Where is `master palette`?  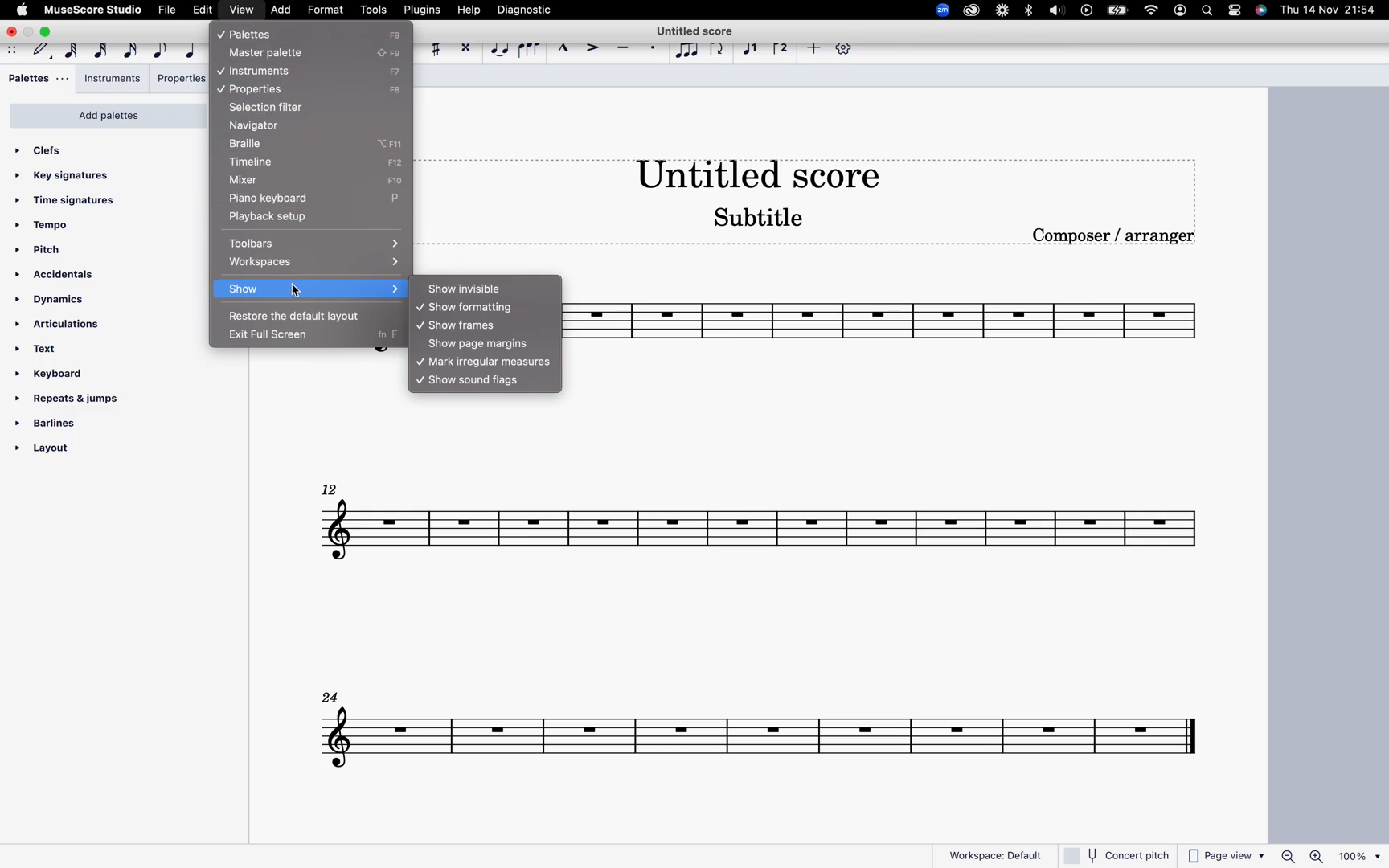
master palette is located at coordinates (271, 53).